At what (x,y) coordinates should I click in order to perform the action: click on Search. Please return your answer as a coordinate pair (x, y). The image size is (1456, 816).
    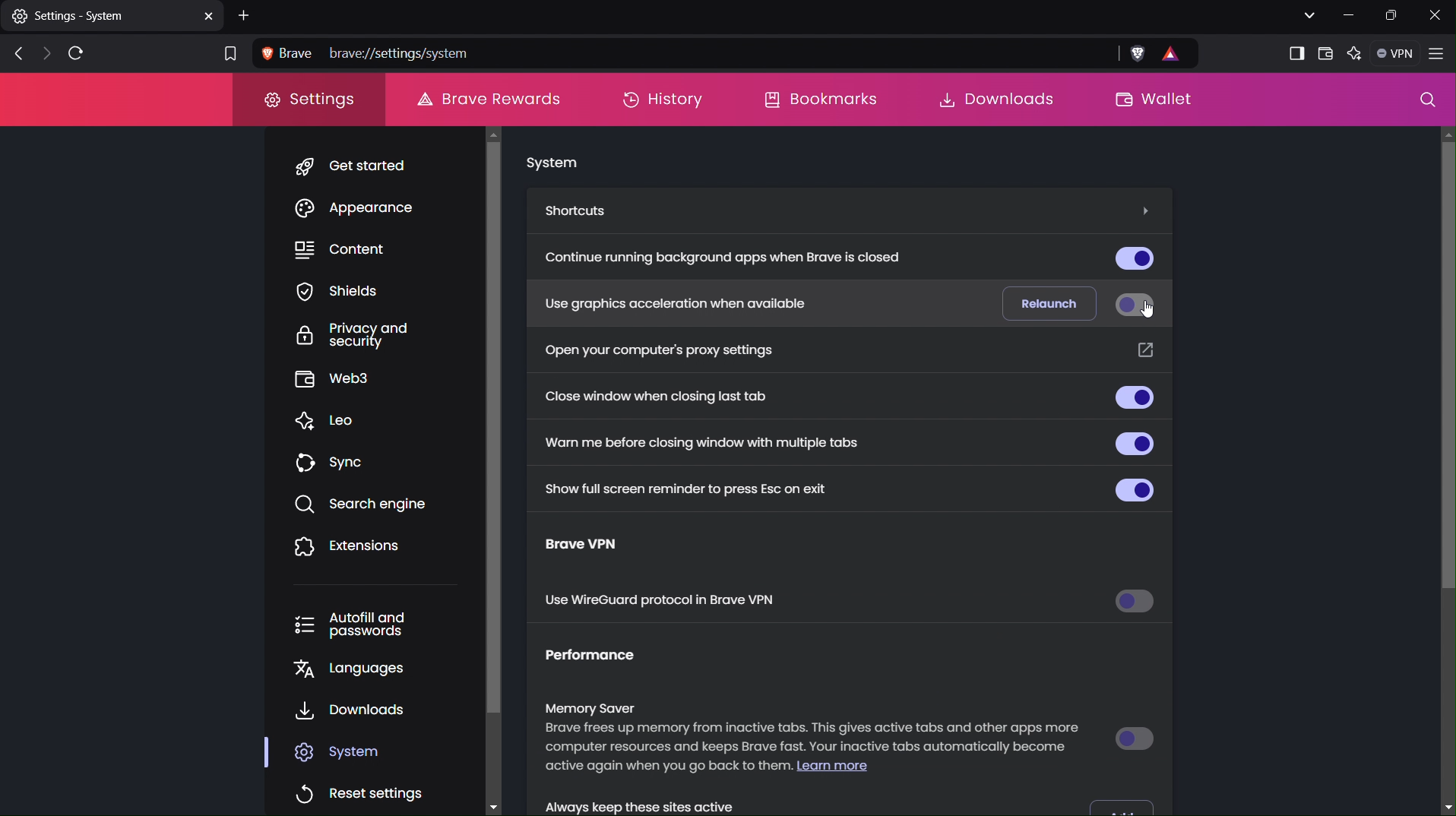
    Looking at the image, I should click on (1428, 103).